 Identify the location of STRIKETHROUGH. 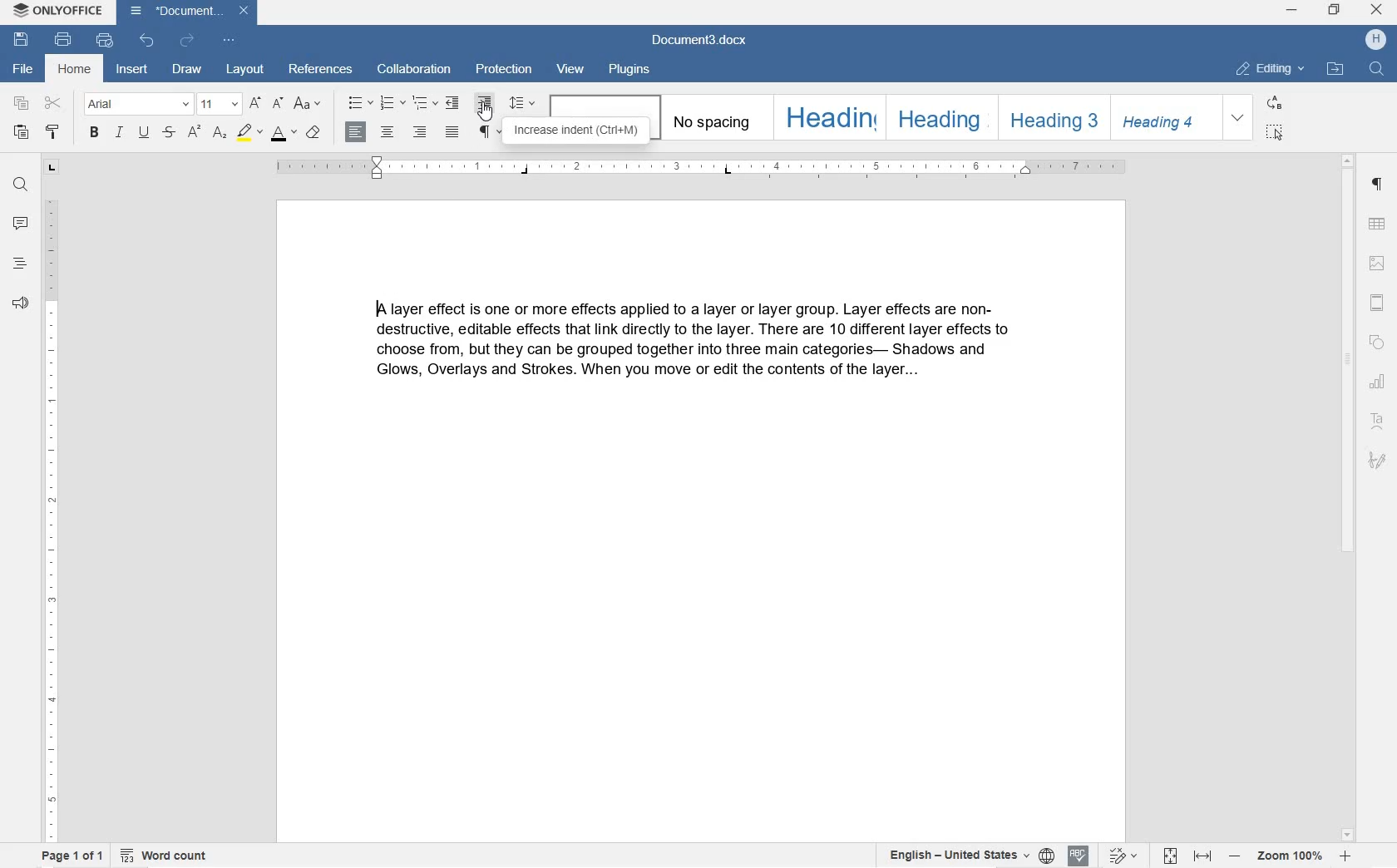
(170, 133).